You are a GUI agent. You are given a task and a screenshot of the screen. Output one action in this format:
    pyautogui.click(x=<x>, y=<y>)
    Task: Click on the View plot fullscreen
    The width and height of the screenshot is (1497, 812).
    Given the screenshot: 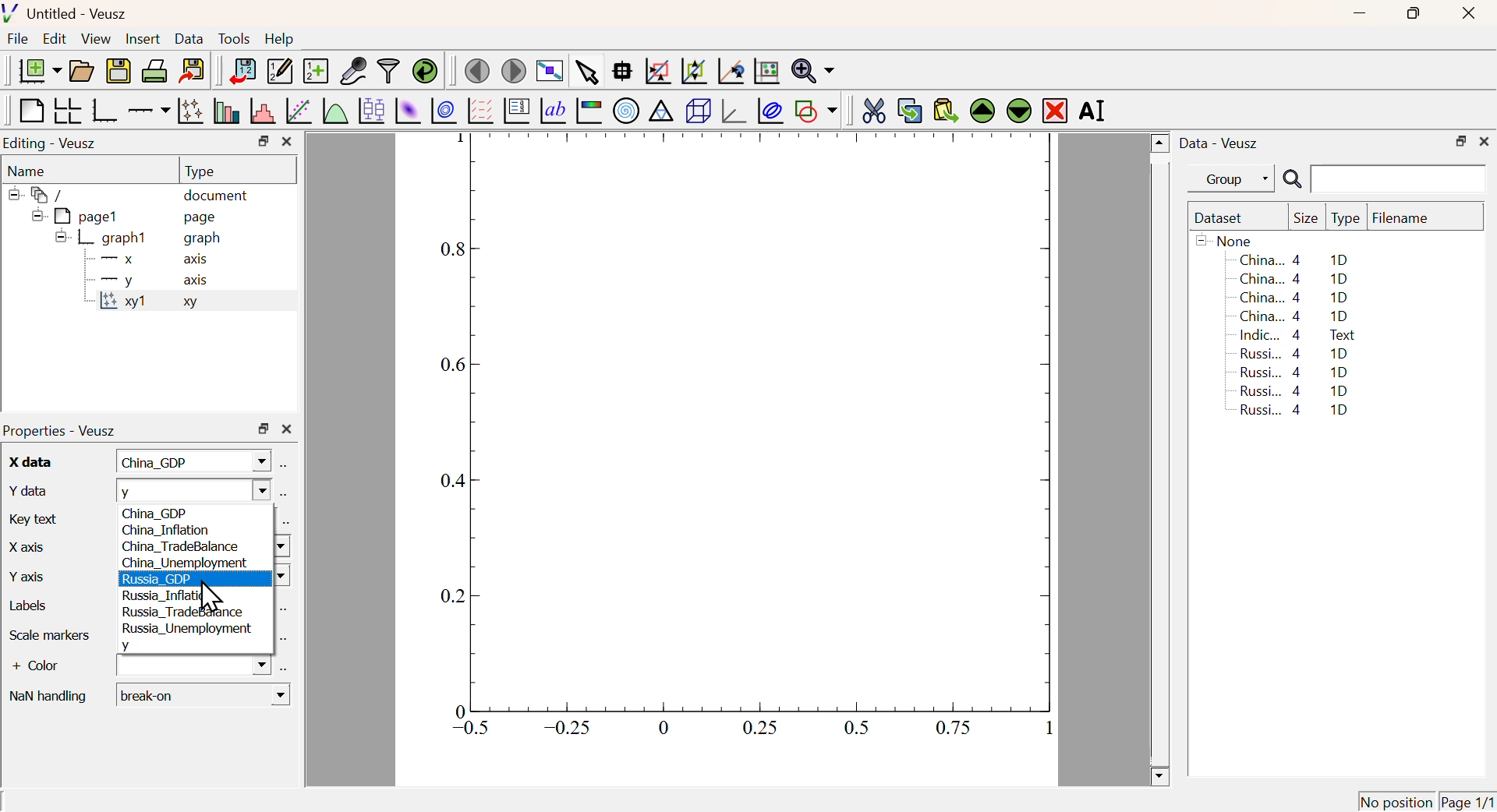 What is the action you would take?
    pyautogui.click(x=547, y=72)
    